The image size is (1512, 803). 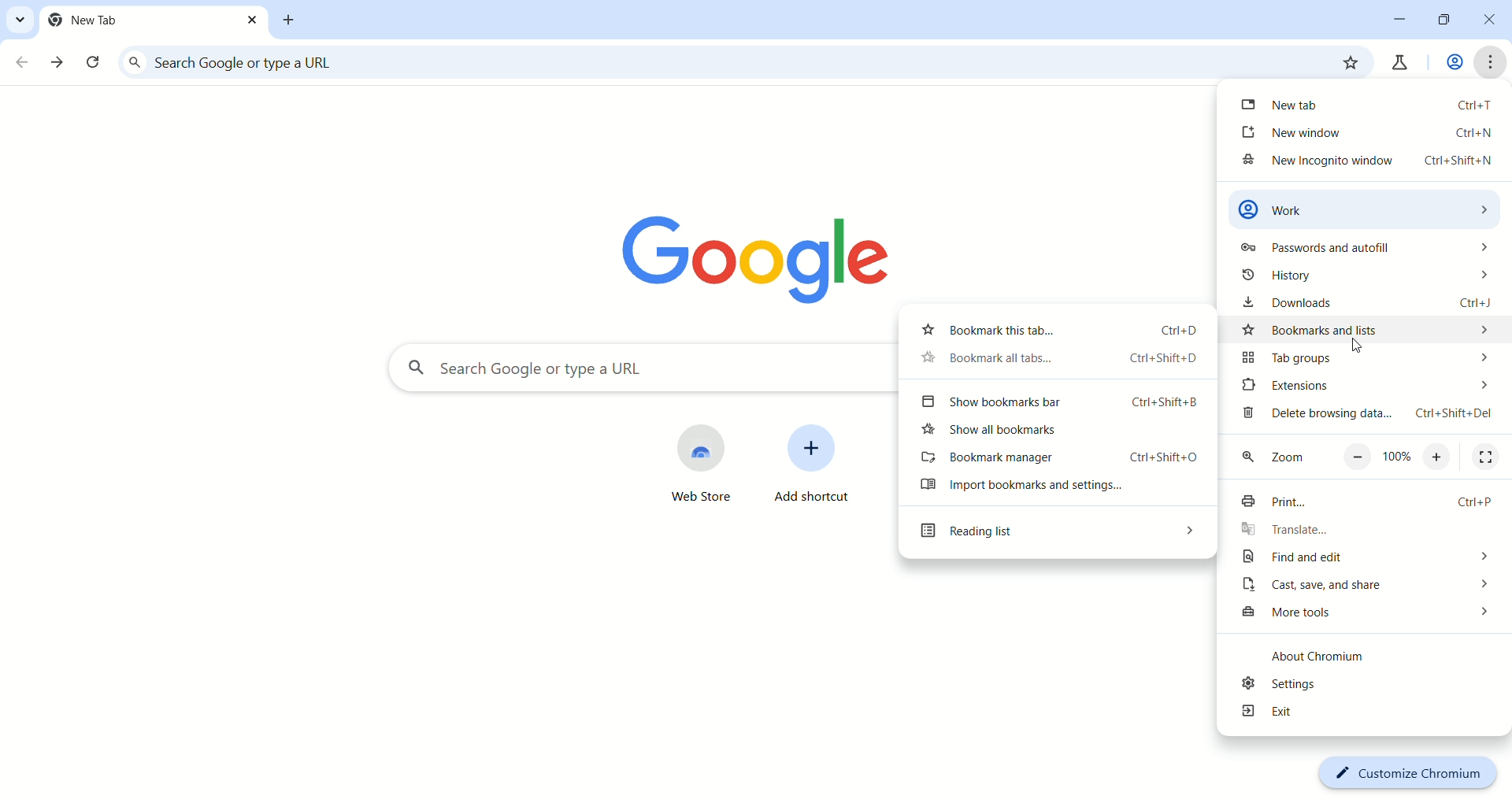 I want to click on customize chromium, so click(x=1406, y=772).